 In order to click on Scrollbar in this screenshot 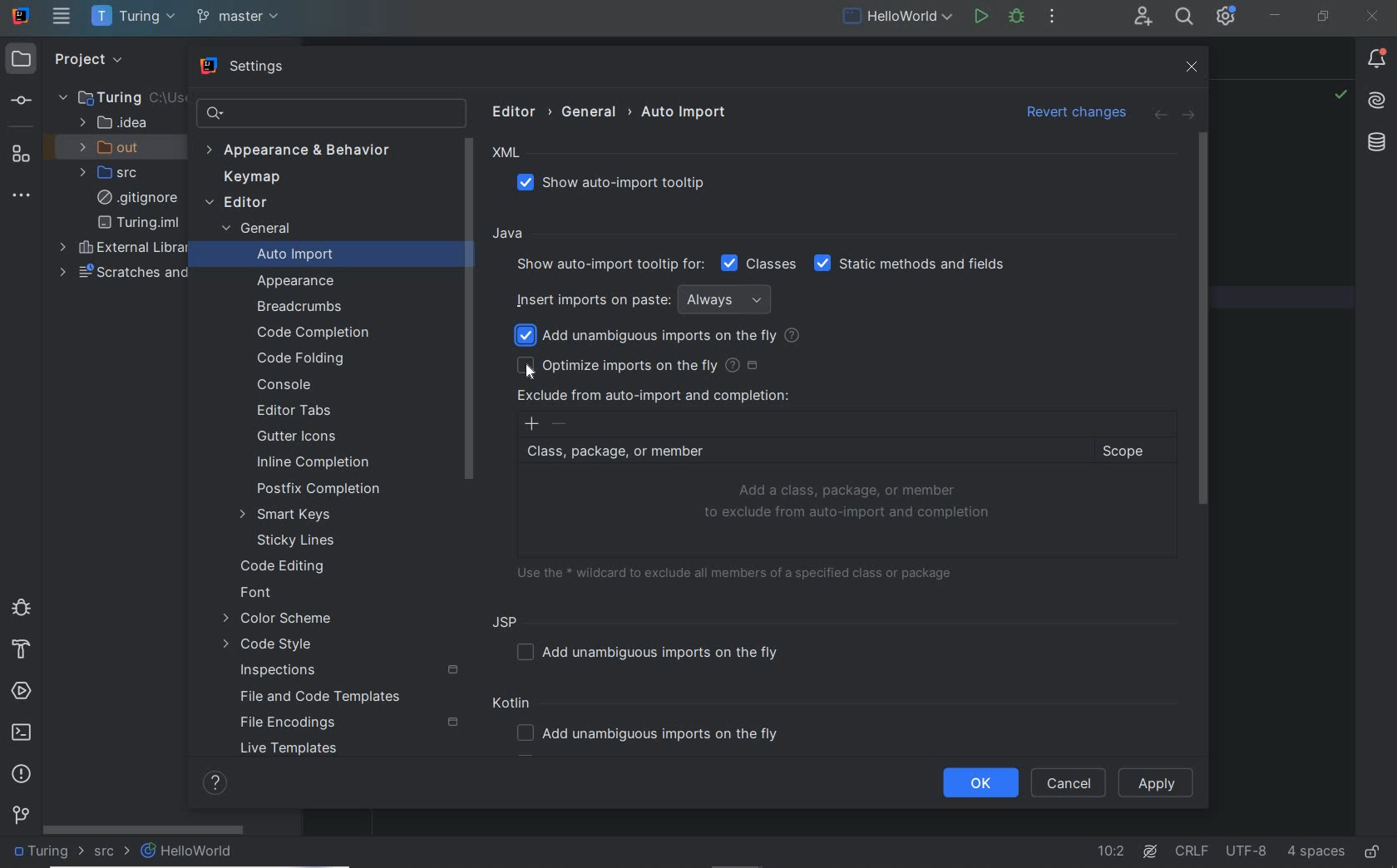, I will do `click(469, 307)`.